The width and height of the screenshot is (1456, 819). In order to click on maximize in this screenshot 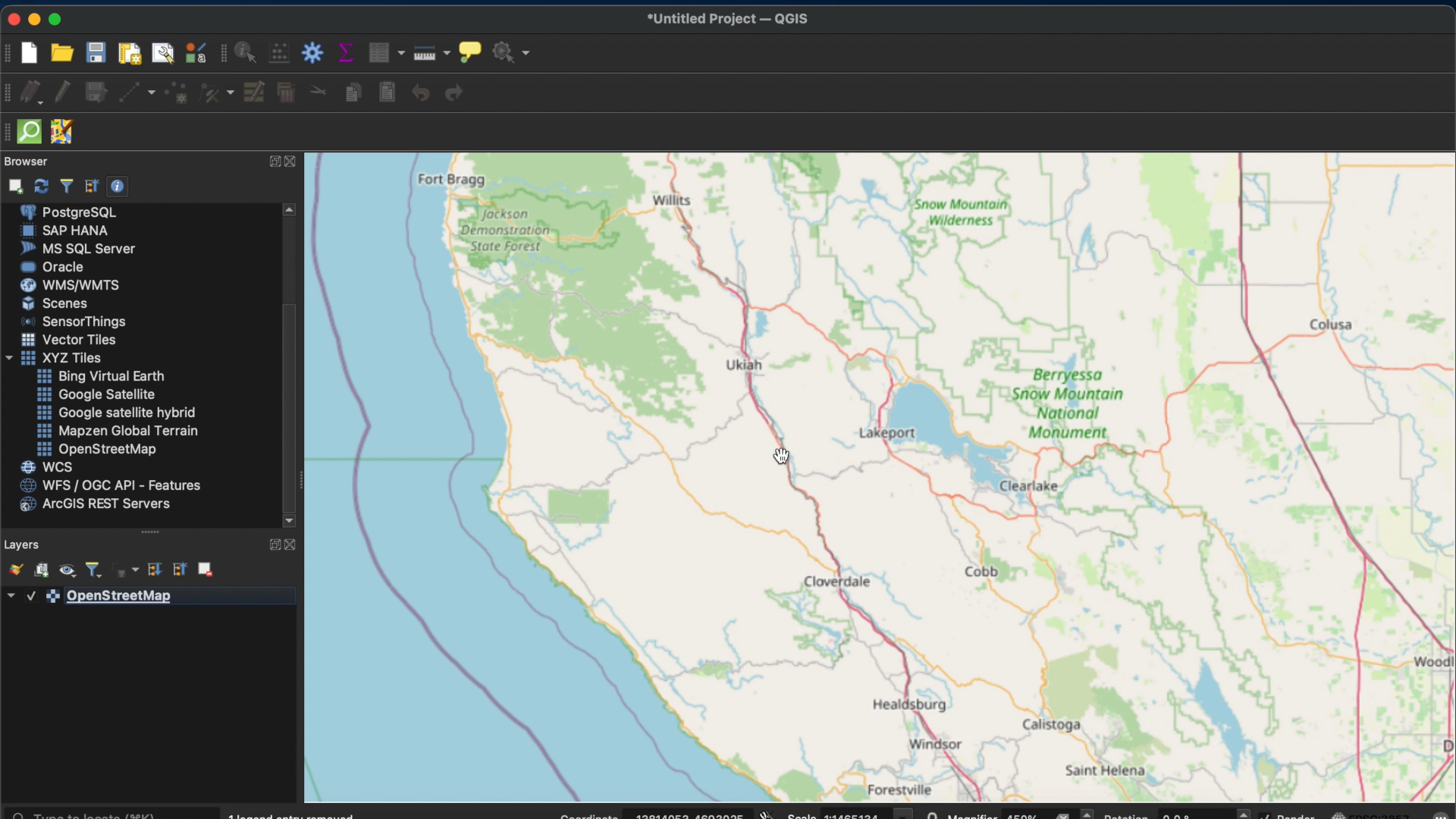, I will do `click(58, 18)`.